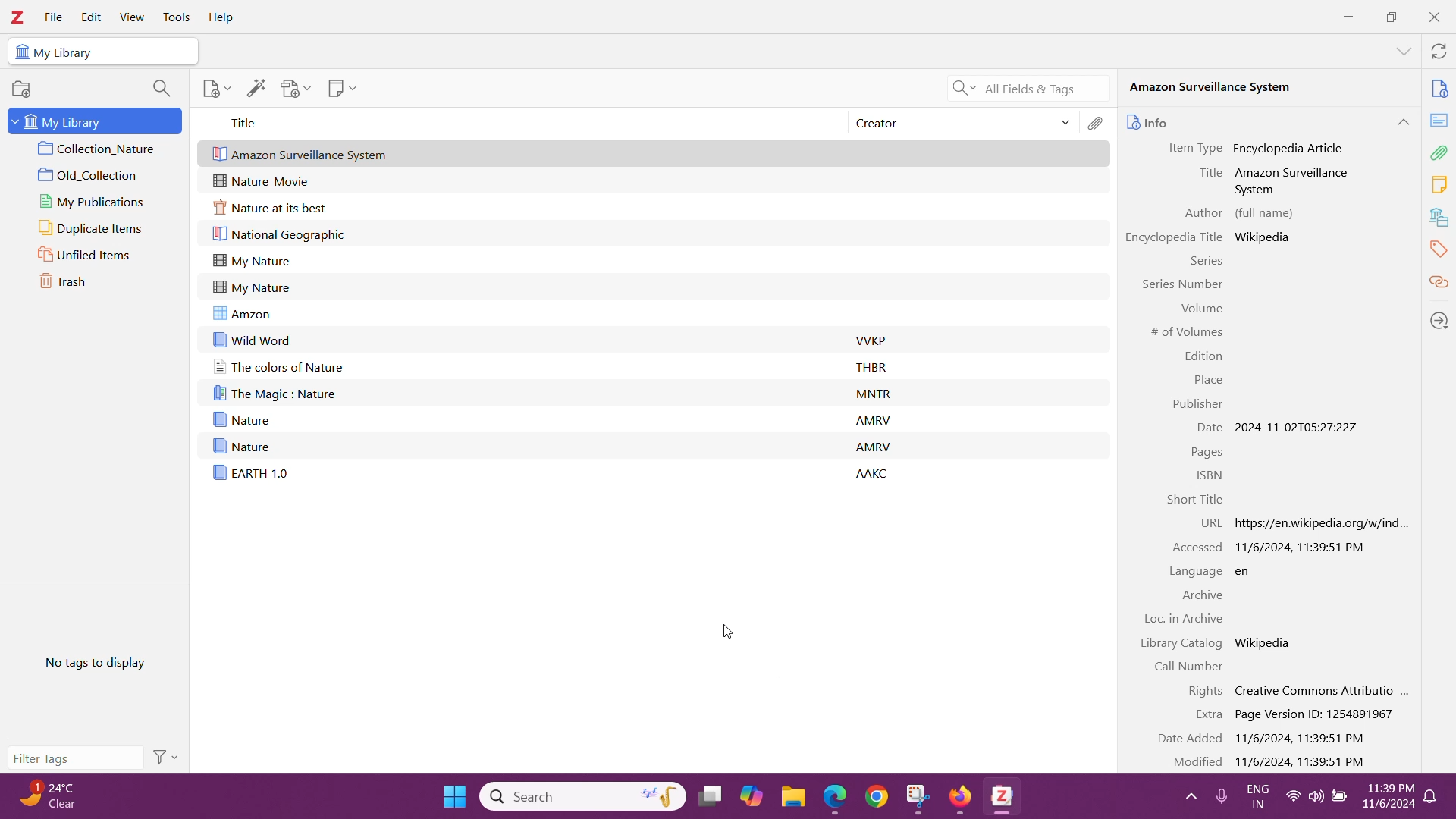 This screenshot has width=1456, height=819. What do you see at coordinates (872, 393) in the screenshot?
I see `MNTR` at bounding box center [872, 393].